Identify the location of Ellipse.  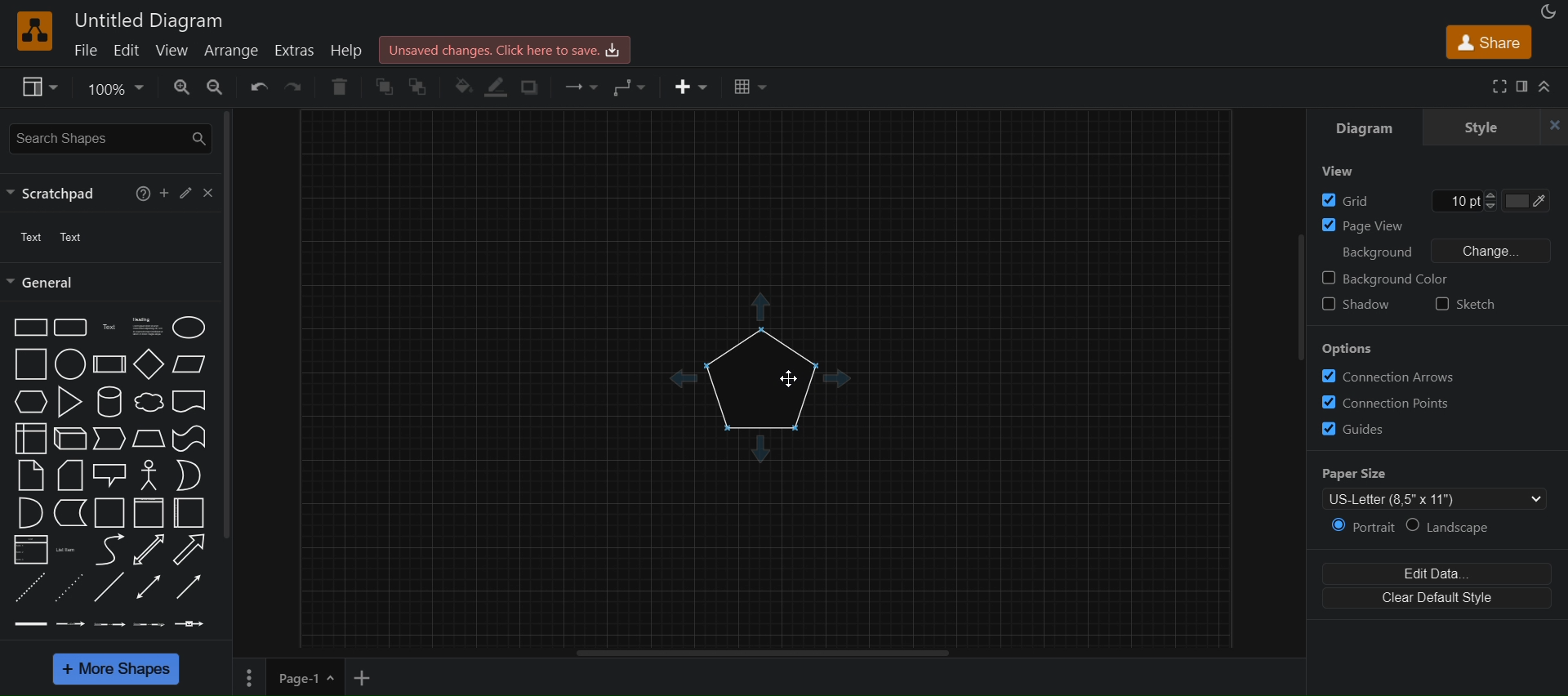
(189, 328).